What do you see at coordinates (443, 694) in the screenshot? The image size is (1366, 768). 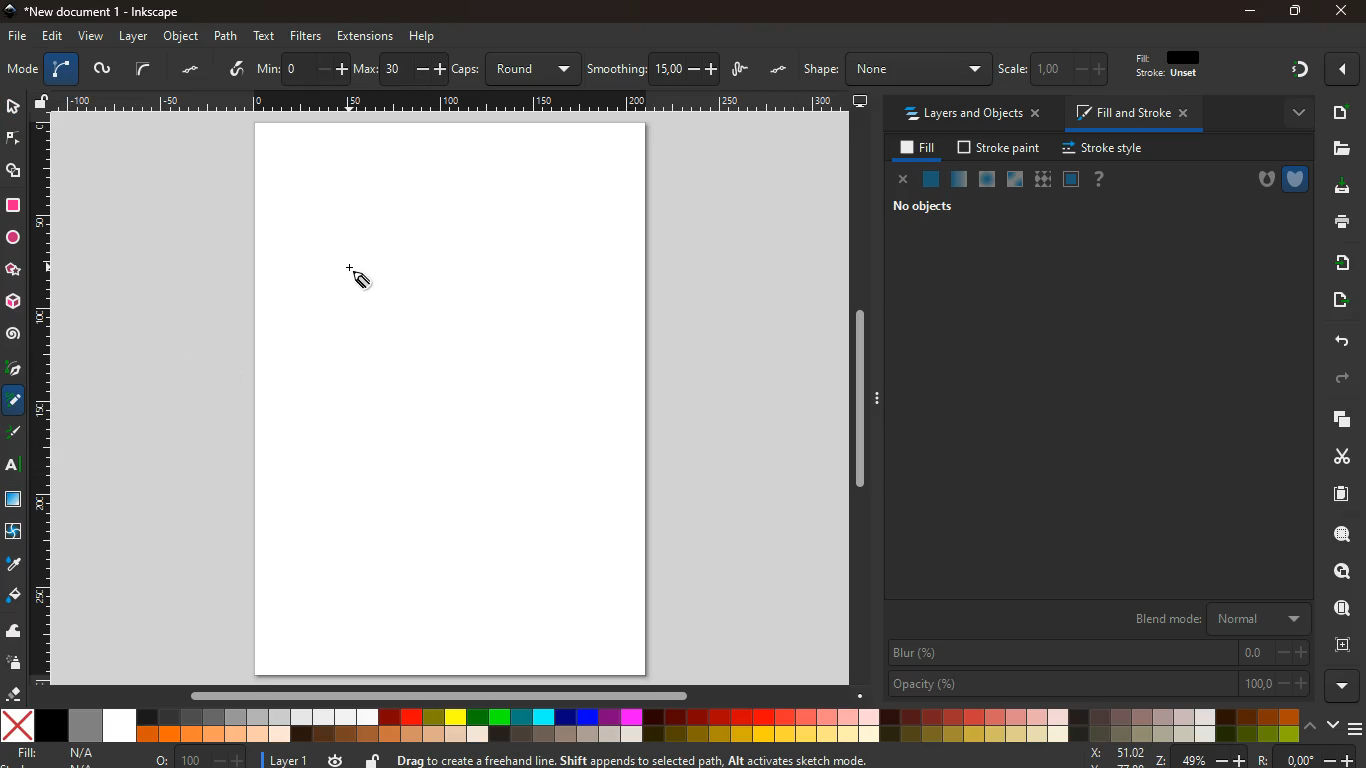 I see `horizontal slider` at bounding box center [443, 694].